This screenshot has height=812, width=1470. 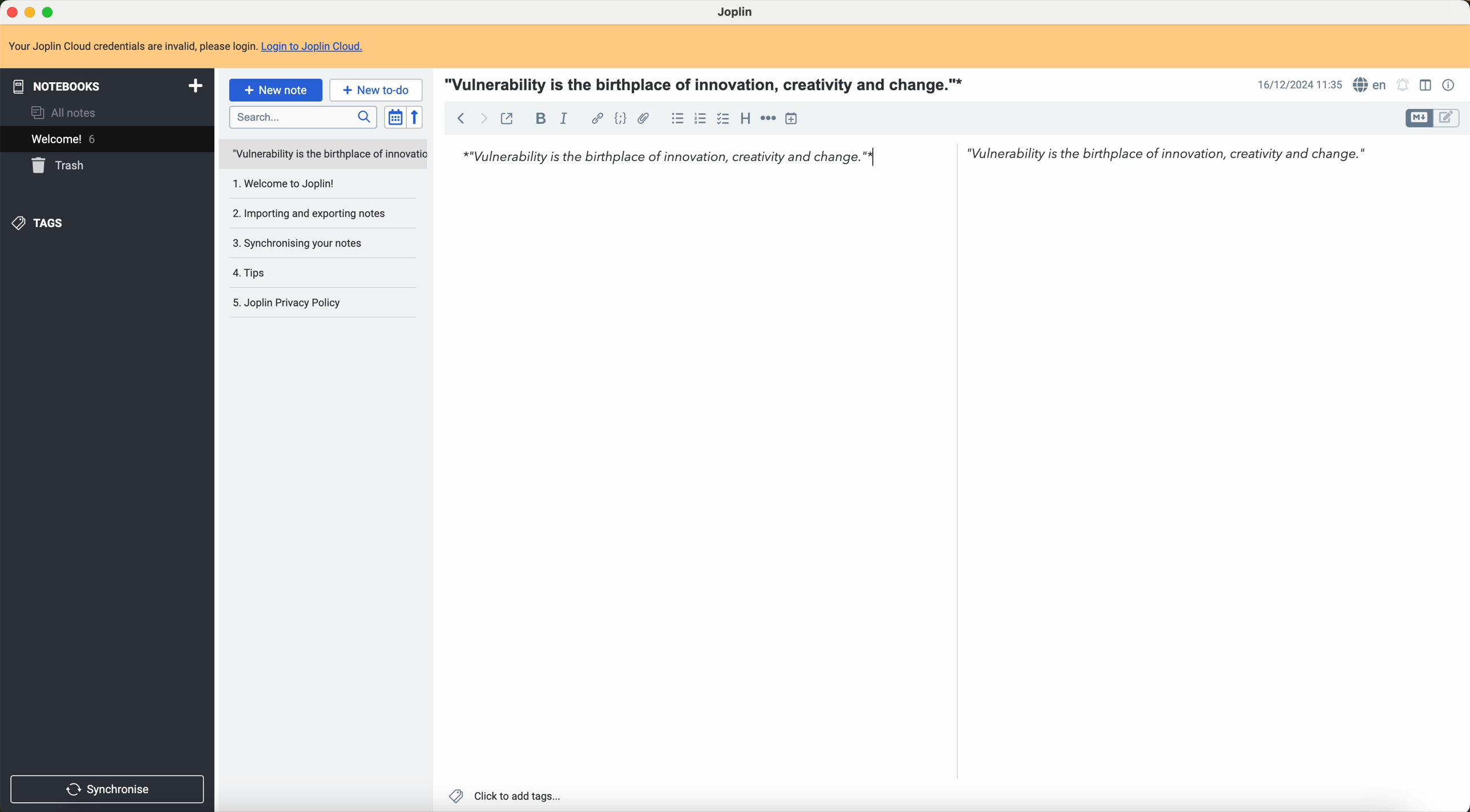 I want to click on Login to Joplin Cloud., so click(x=319, y=47).